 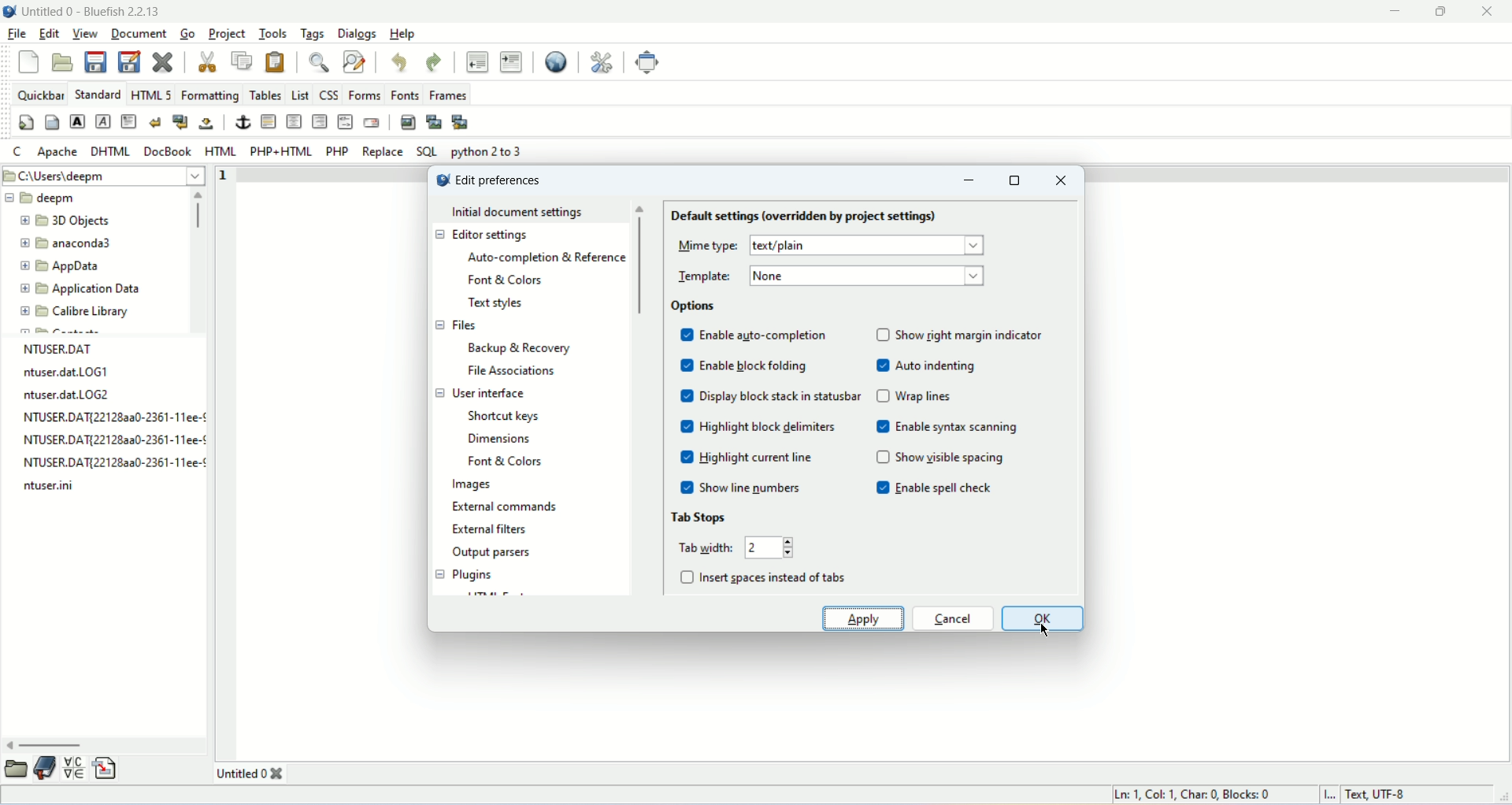 I want to click on Docbook, so click(x=167, y=151).